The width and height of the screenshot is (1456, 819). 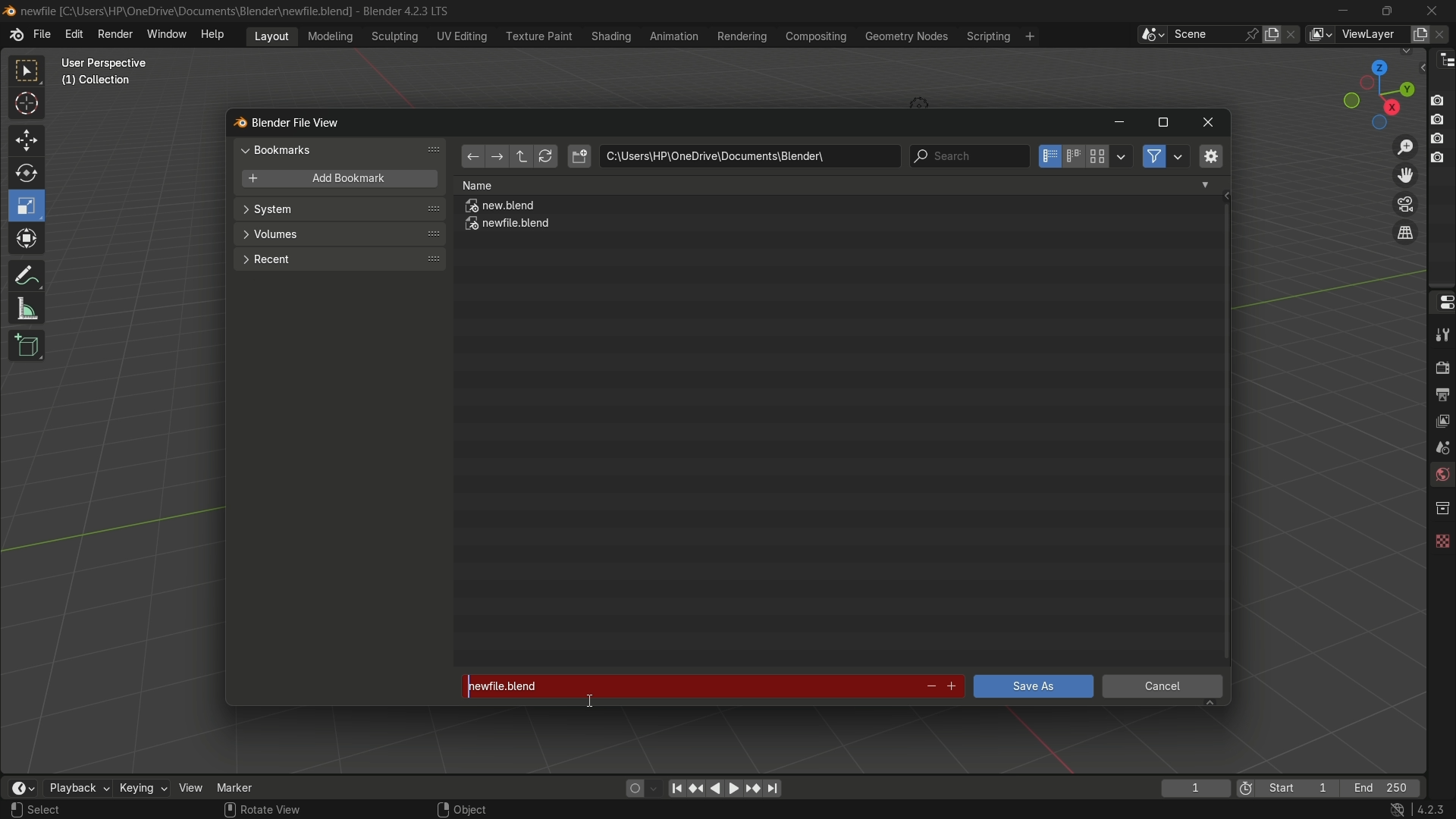 What do you see at coordinates (1443, 33) in the screenshot?
I see `remove view layer` at bounding box center [1443, 33].